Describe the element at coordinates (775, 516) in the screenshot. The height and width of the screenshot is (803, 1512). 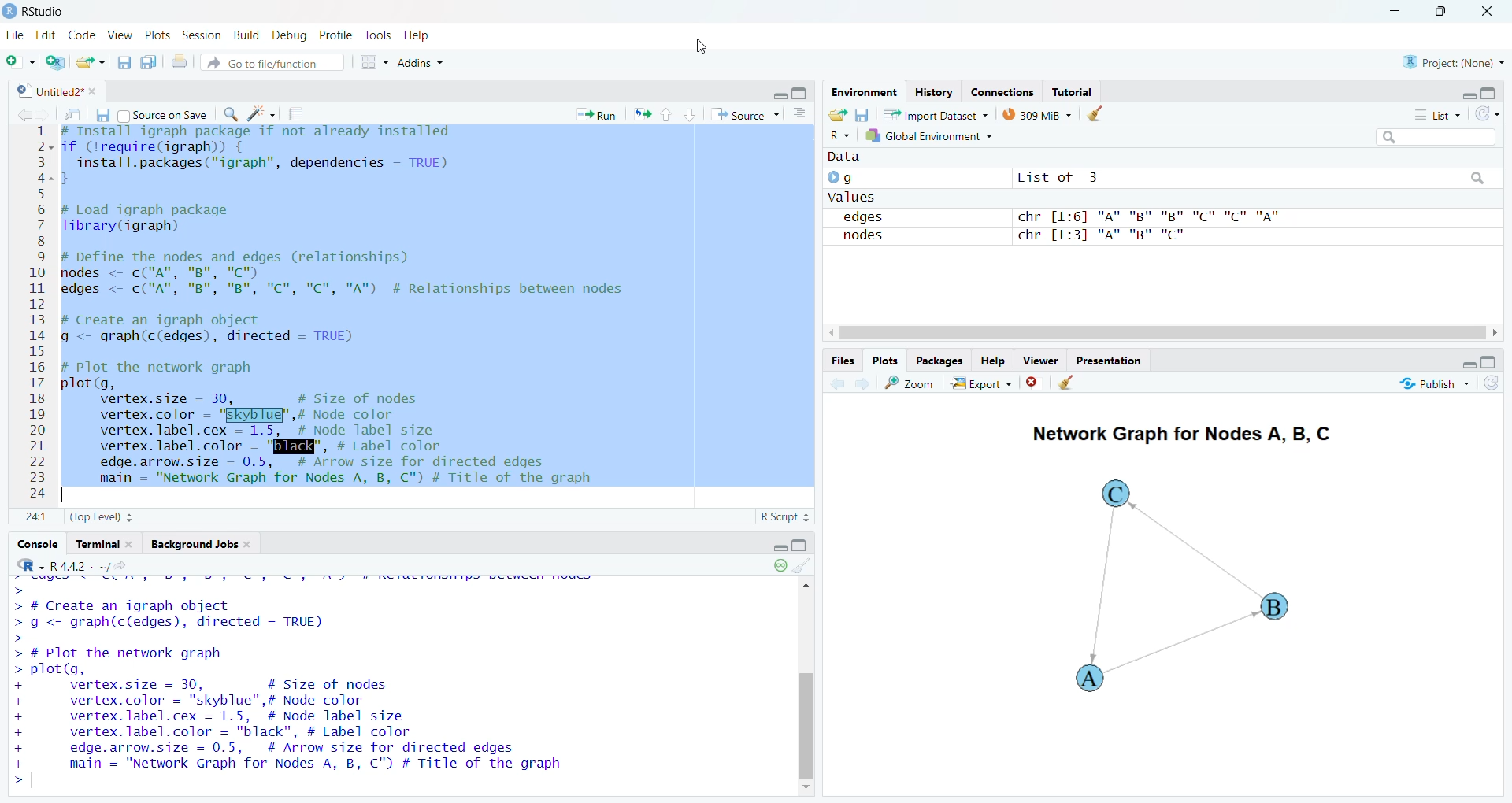
I see `R Script ` at that location.